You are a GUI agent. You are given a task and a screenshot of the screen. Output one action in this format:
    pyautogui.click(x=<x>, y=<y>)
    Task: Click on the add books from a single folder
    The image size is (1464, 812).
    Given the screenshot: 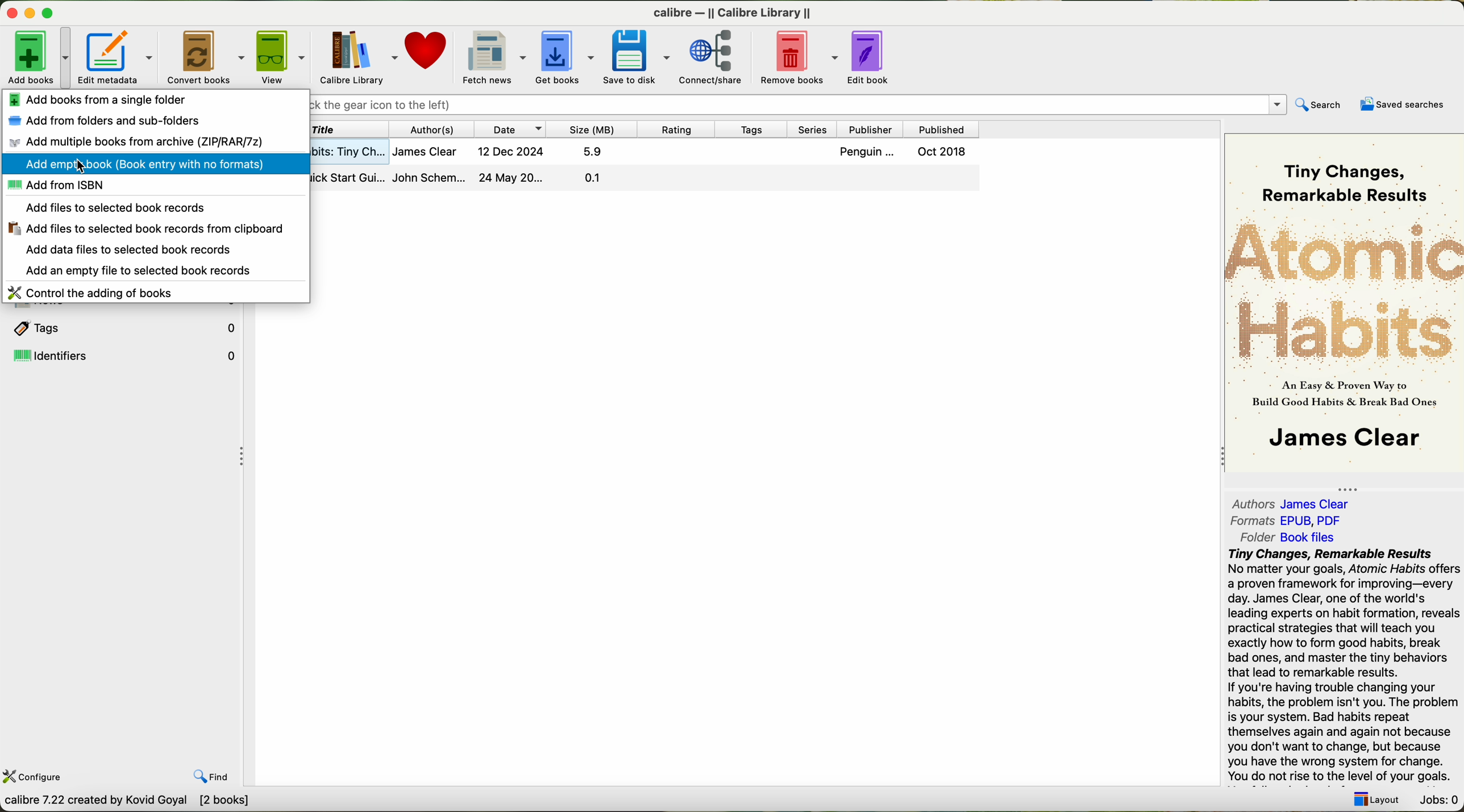 What is the action you would take?
    pyautogui.click(x=97, y=99)
    